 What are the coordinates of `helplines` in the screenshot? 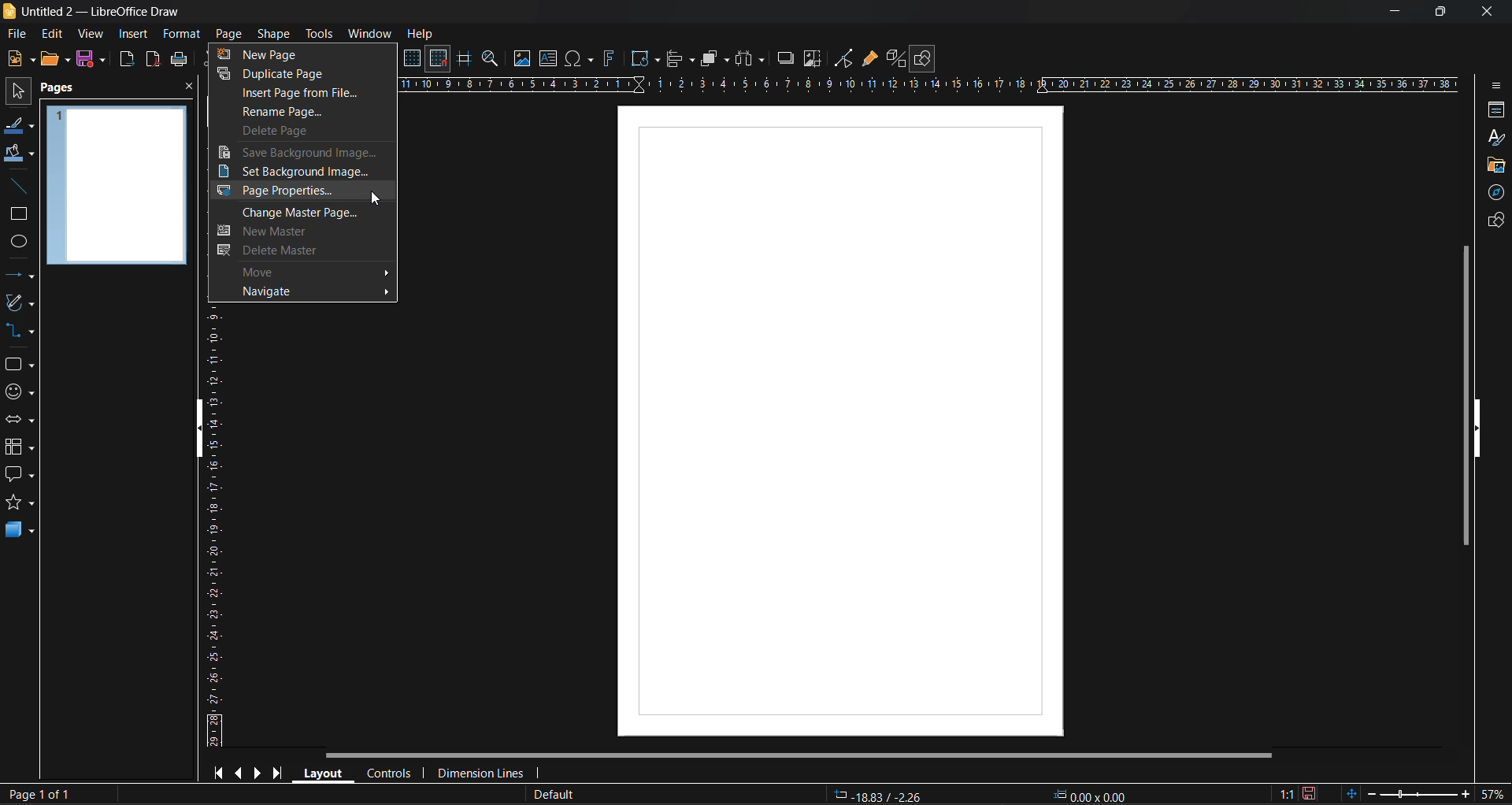 It's located at (463, 58).